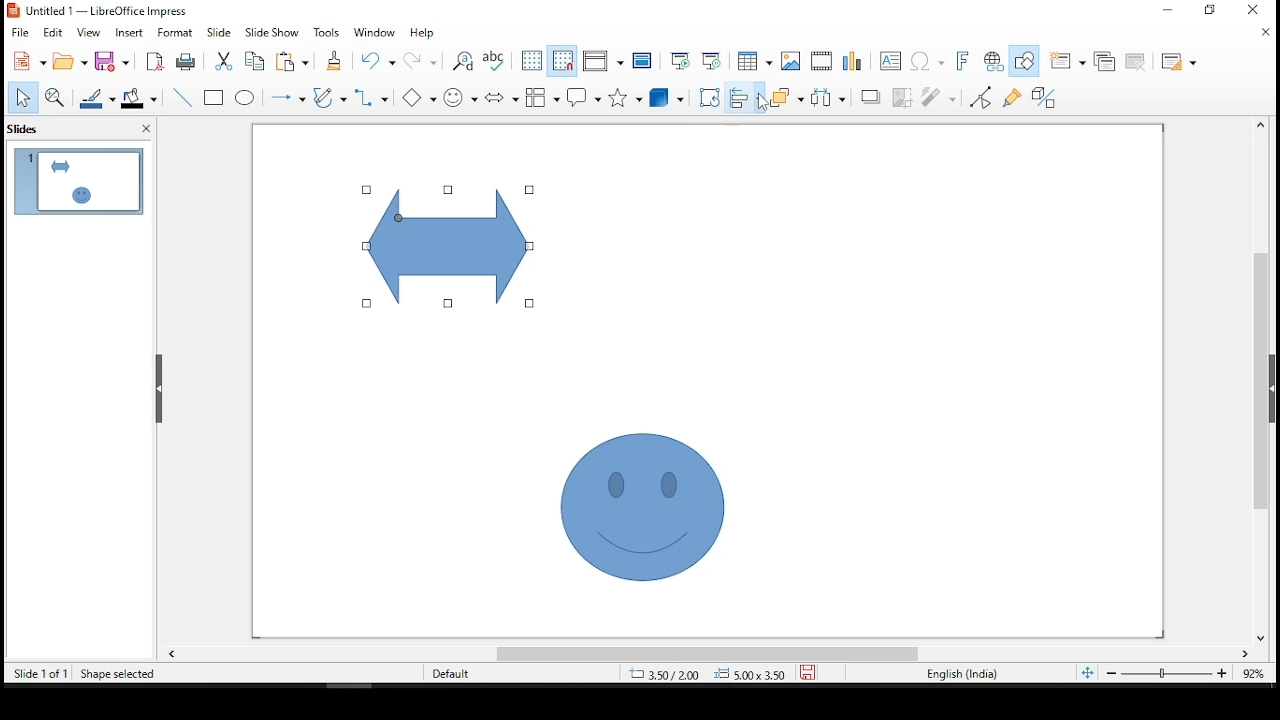 The height and width of the screenshot is (720, 1280). I want to click on line color, so click(99, 98).